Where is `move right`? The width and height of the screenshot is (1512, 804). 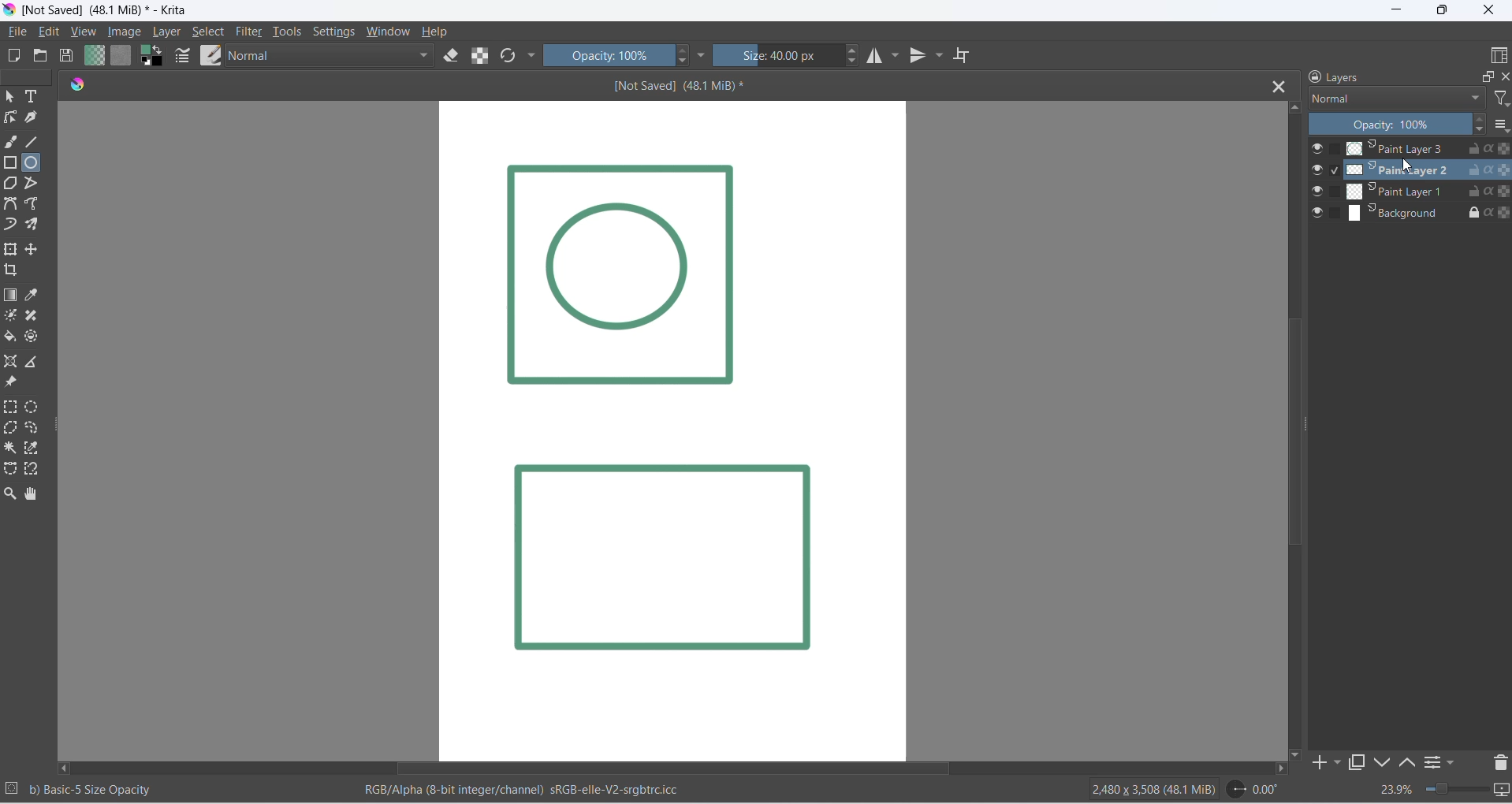 move right is located at coordinates (1279, 770).